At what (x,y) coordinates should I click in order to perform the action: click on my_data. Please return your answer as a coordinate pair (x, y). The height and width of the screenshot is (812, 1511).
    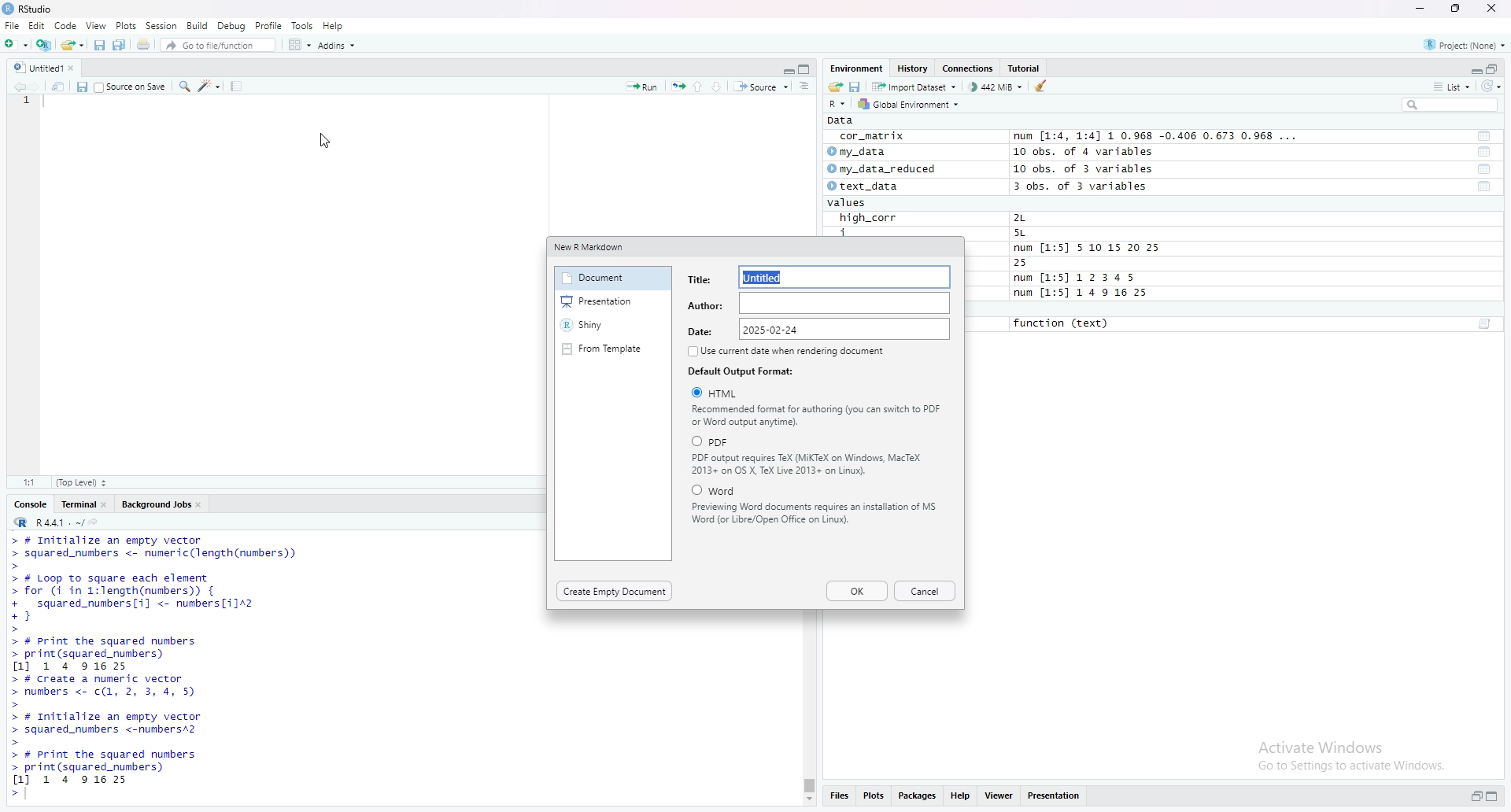
    Looking at the image, I should click on (866, 151).